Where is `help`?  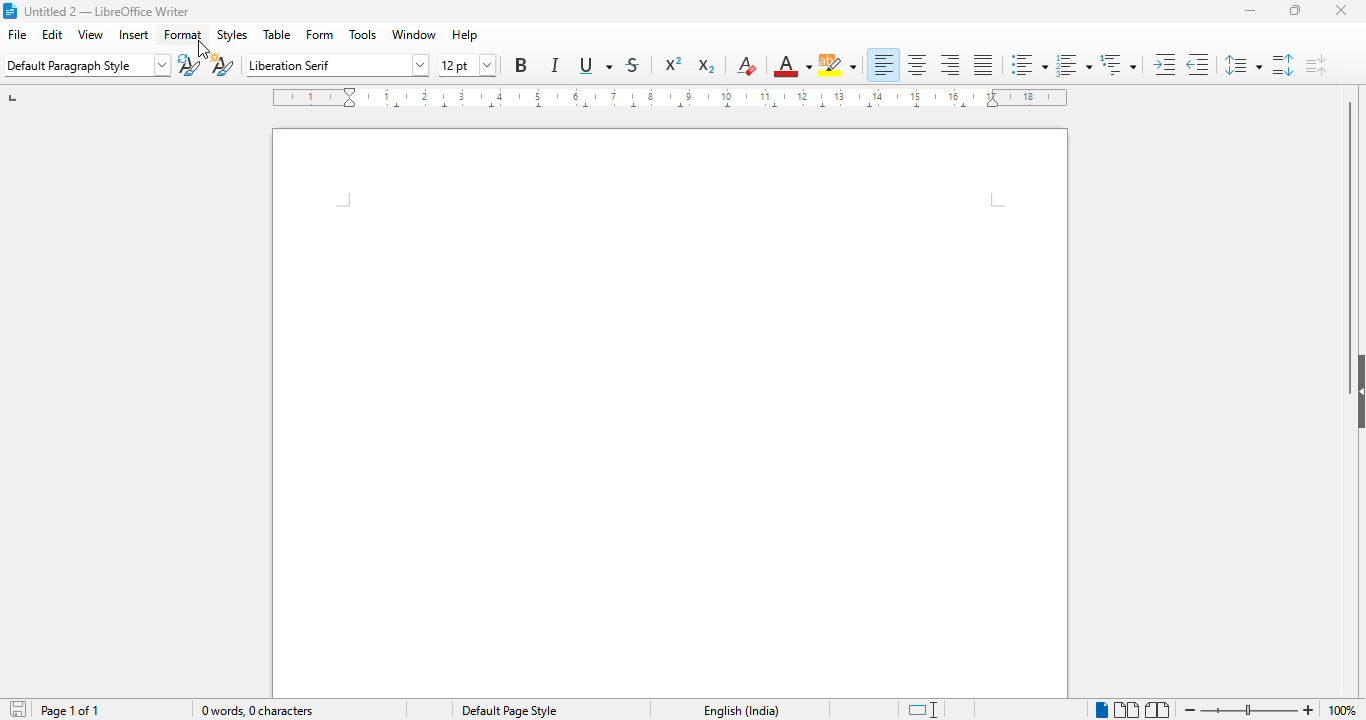
help is located at coordinates (465, 35).